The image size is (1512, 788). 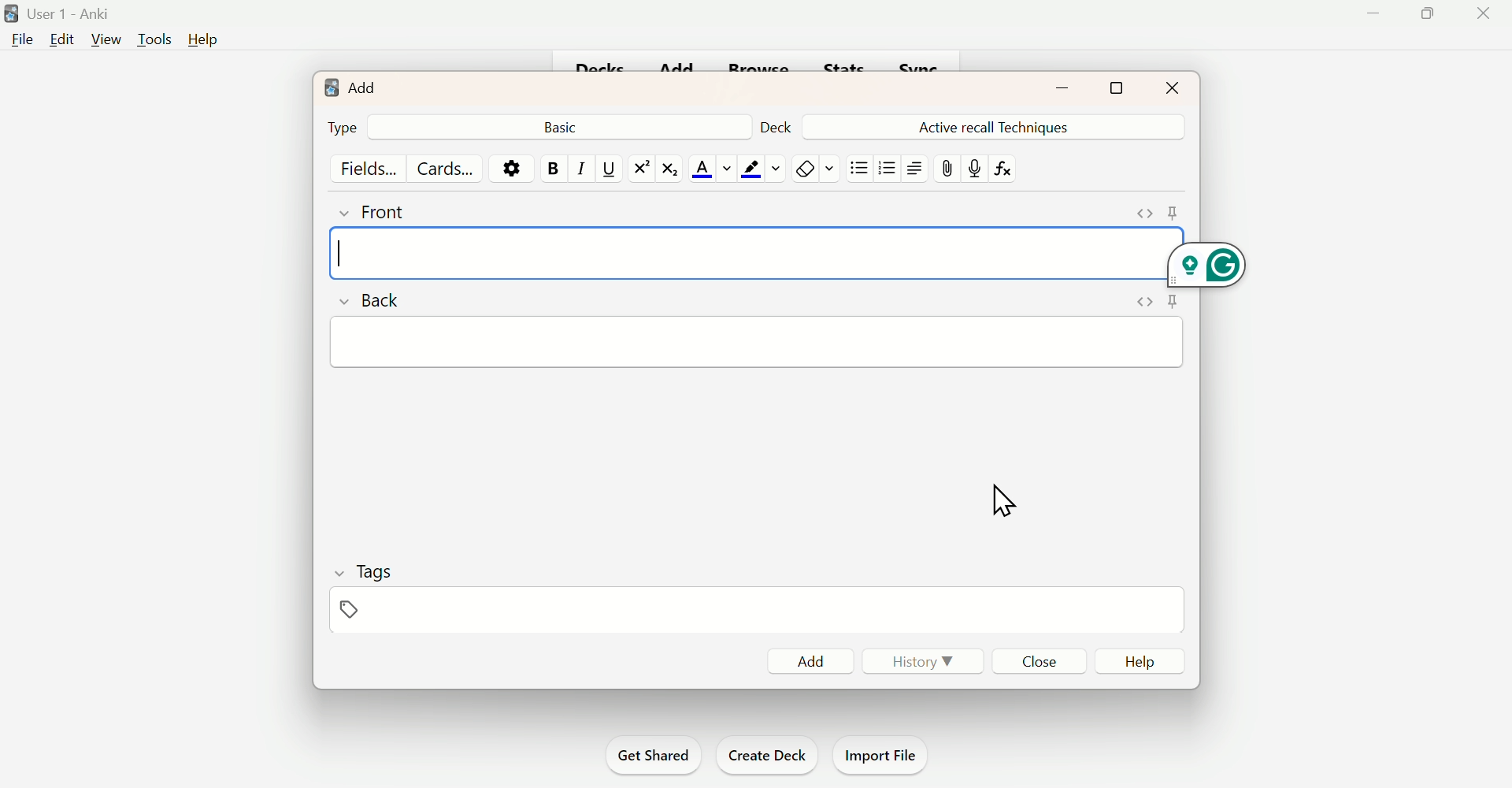 What do you see at coordinates (449, 168) in the screenshot?
I see `Cards` at bounding box center [449, 168].